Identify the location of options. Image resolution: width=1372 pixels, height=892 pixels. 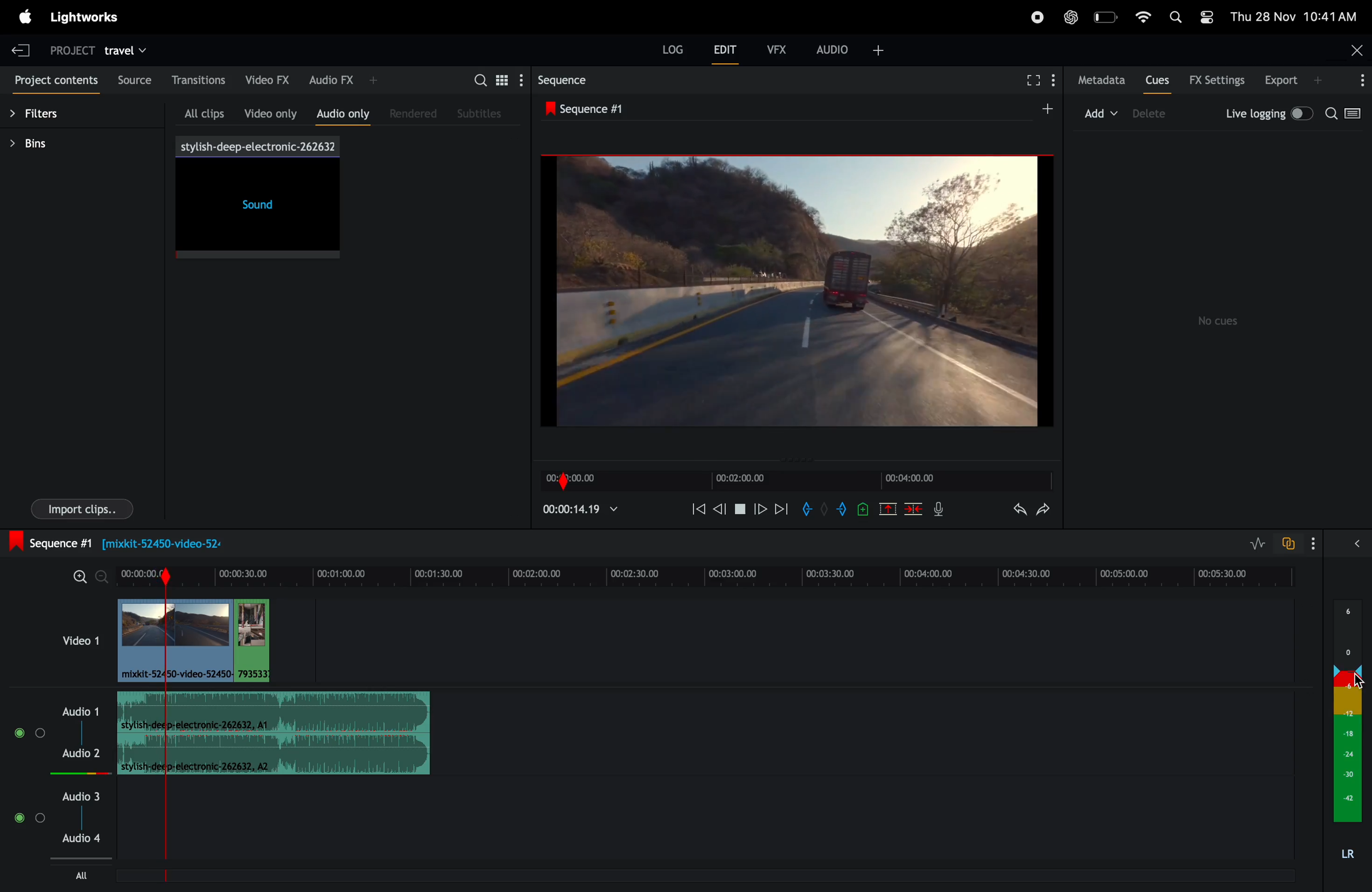
(1356, 79).